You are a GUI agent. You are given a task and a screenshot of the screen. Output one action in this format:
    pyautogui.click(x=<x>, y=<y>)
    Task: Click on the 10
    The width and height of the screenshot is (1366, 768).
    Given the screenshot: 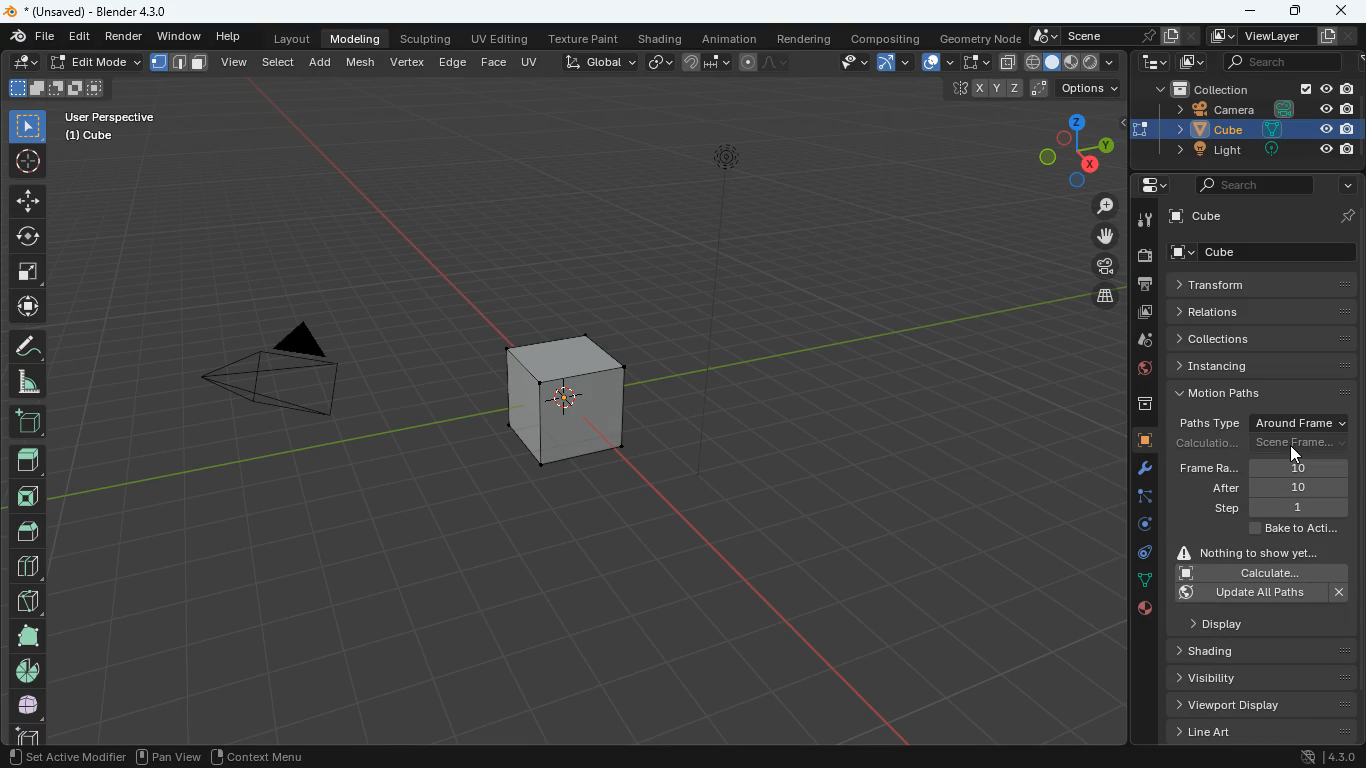 What is the action you would take?
    pyautogui.click(x=1301, y=467)
    